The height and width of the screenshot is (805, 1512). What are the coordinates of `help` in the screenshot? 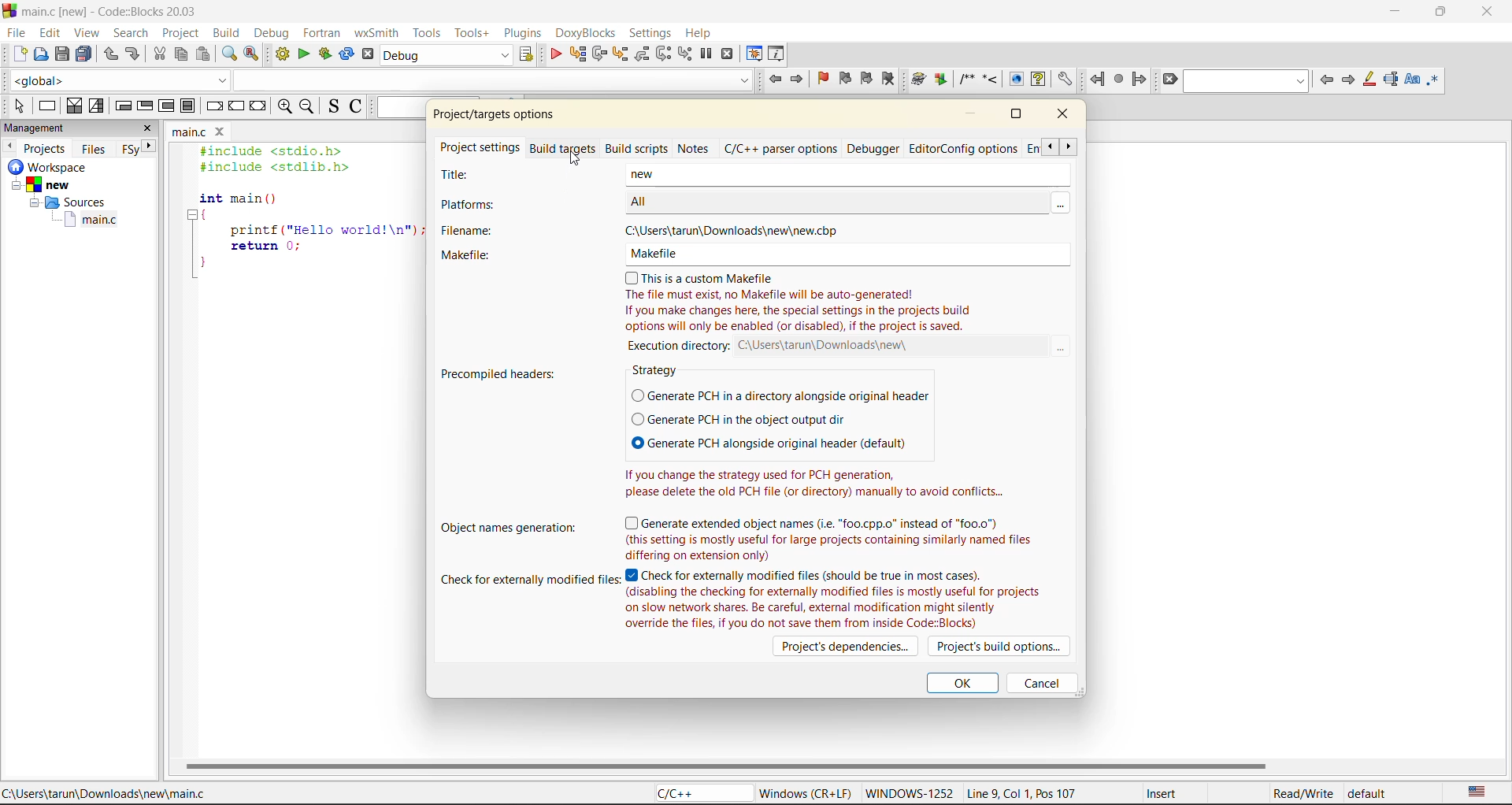 It's located at (703, 31).